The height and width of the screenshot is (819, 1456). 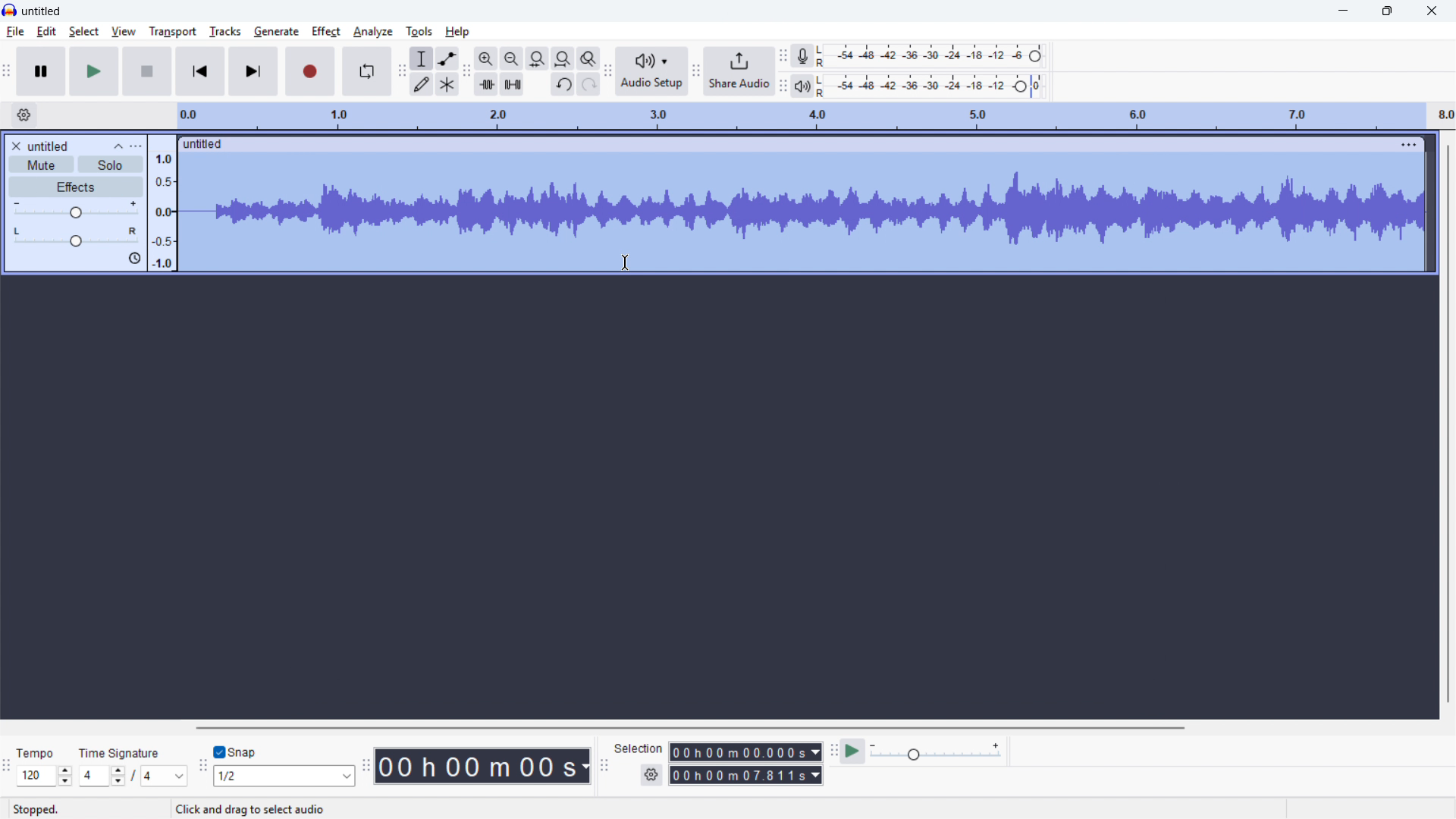 What do you see at coordinates (1410, 143) in the screenshot?
I see `track options ` at bounding box center [1410, 143].